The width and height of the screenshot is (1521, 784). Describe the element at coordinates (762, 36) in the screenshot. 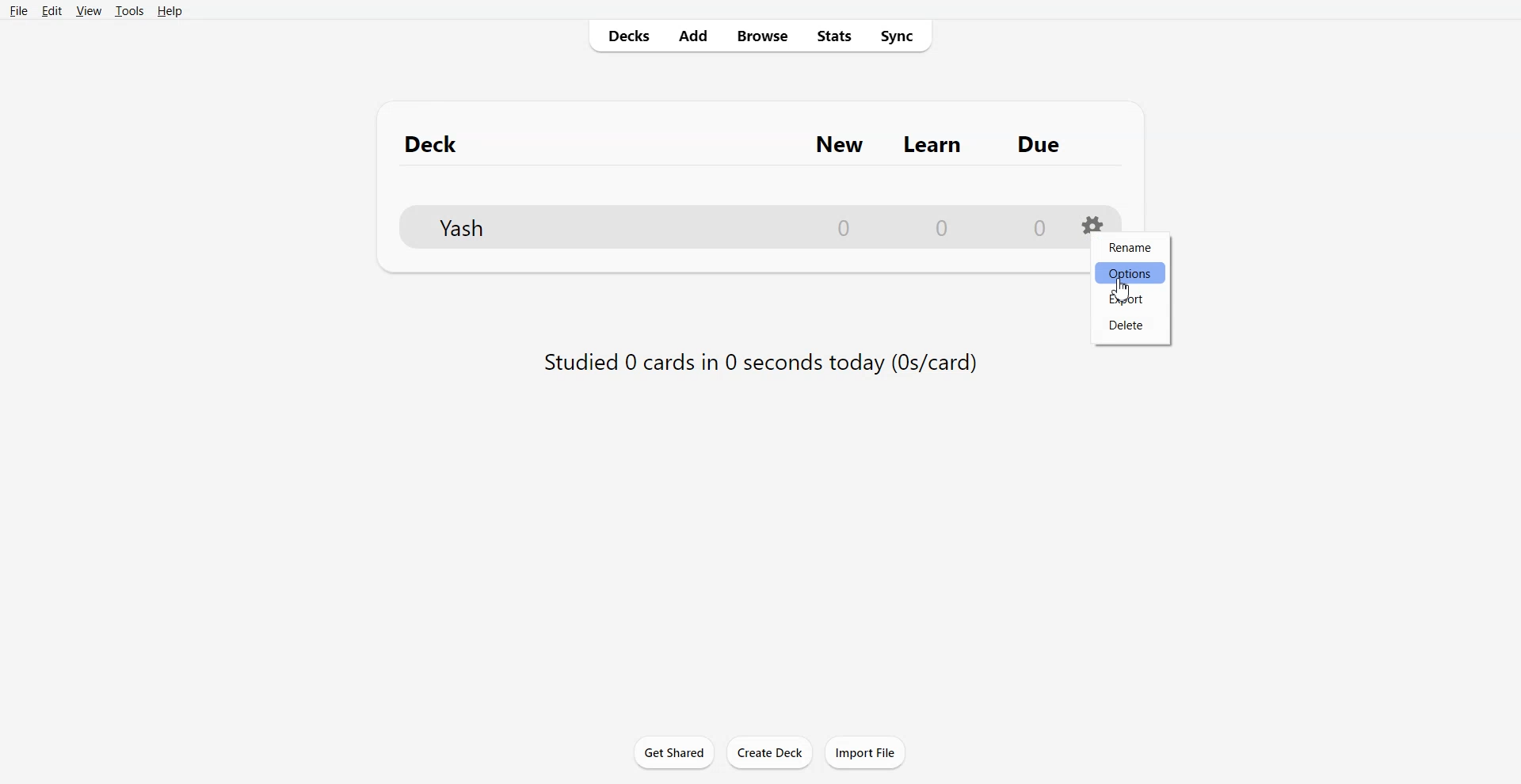

I see `Browse` at that location.